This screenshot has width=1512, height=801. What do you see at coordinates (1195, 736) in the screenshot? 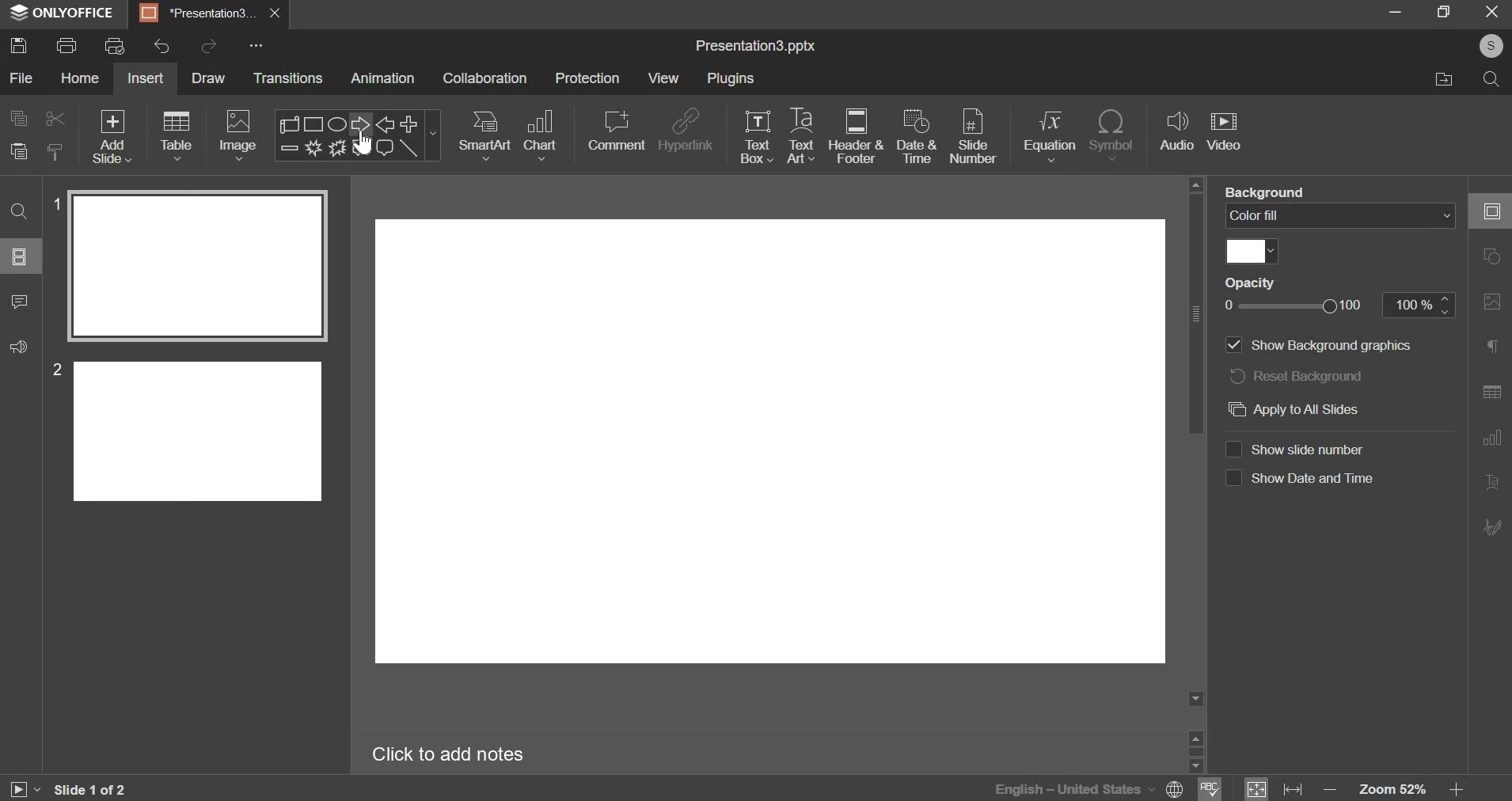
I see `scroll up` at bounding box center [1195, 736].